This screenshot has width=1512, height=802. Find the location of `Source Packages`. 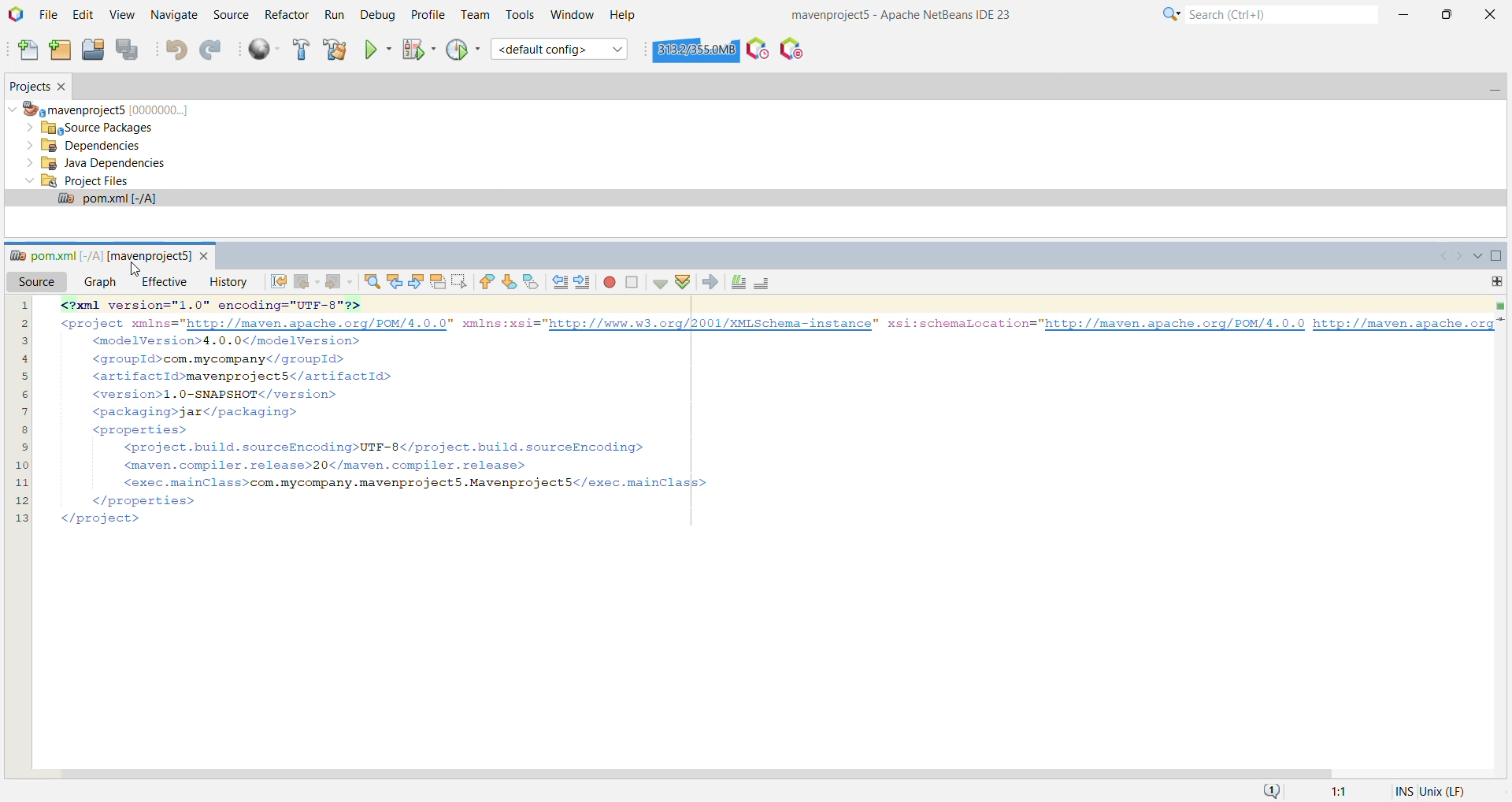

Source Packages is located at coordinates (98, 128).